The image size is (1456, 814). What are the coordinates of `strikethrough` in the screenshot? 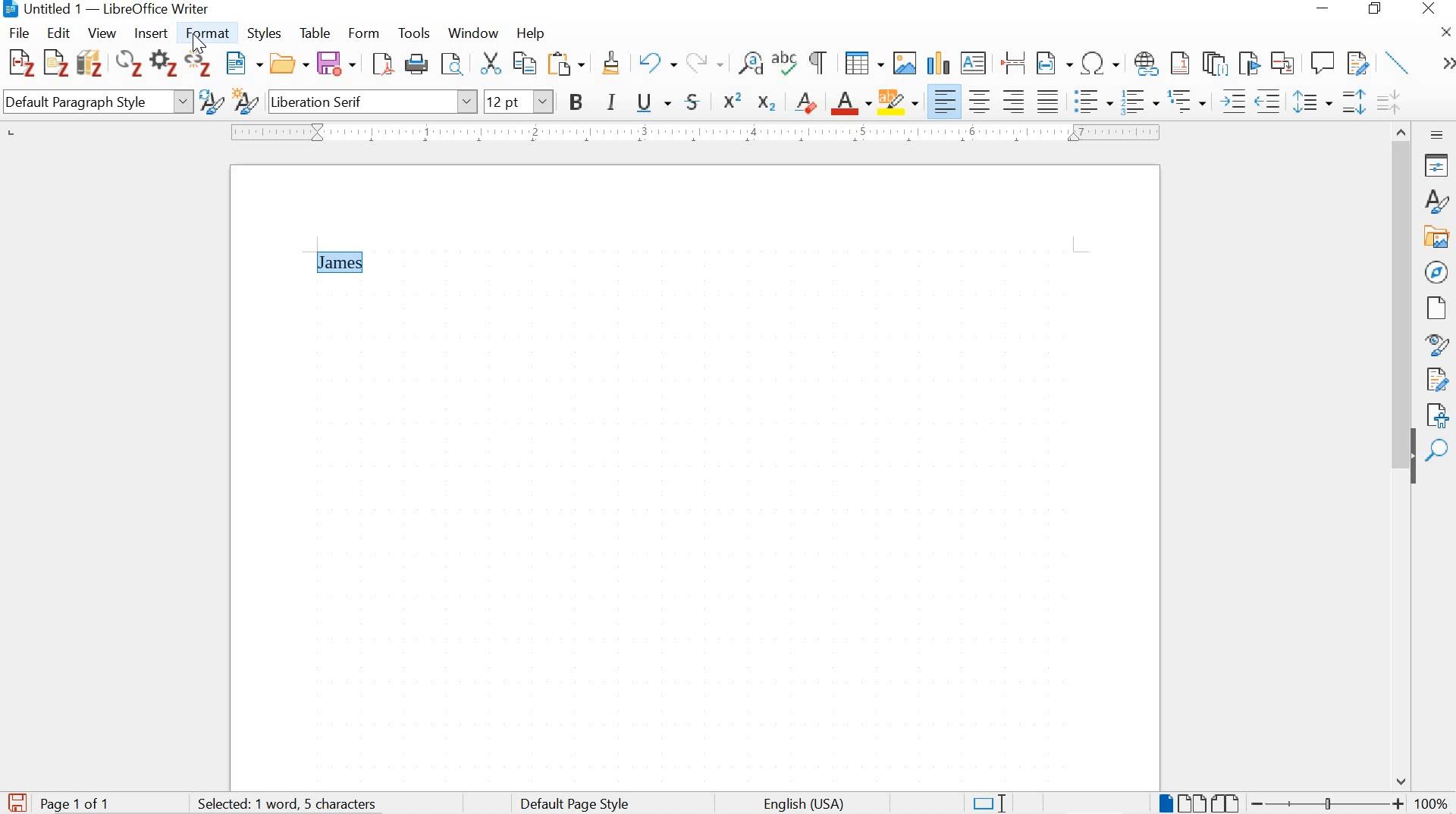 It's located at (696, 102).